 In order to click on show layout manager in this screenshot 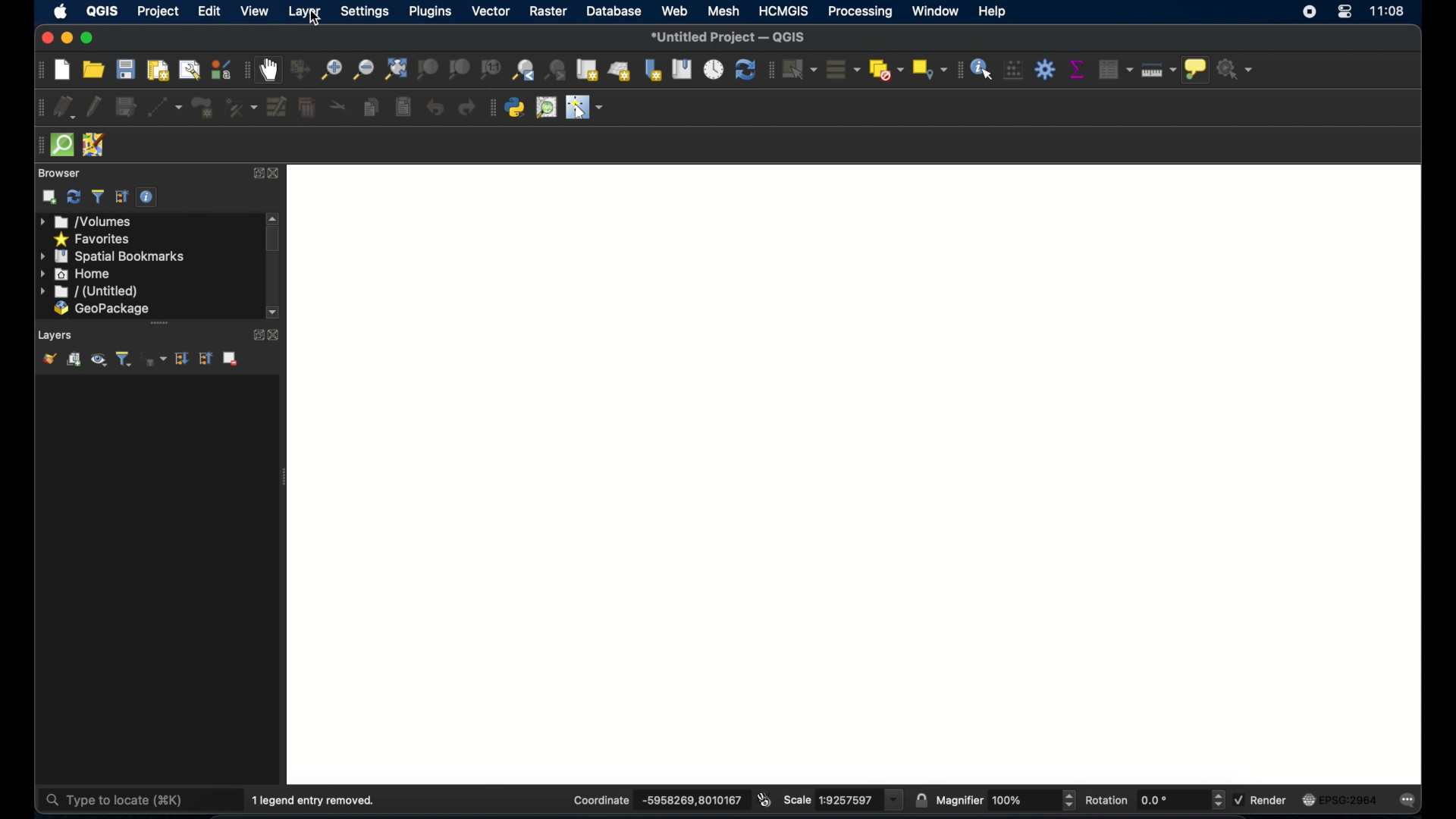, I will do `click(187, 71)`.